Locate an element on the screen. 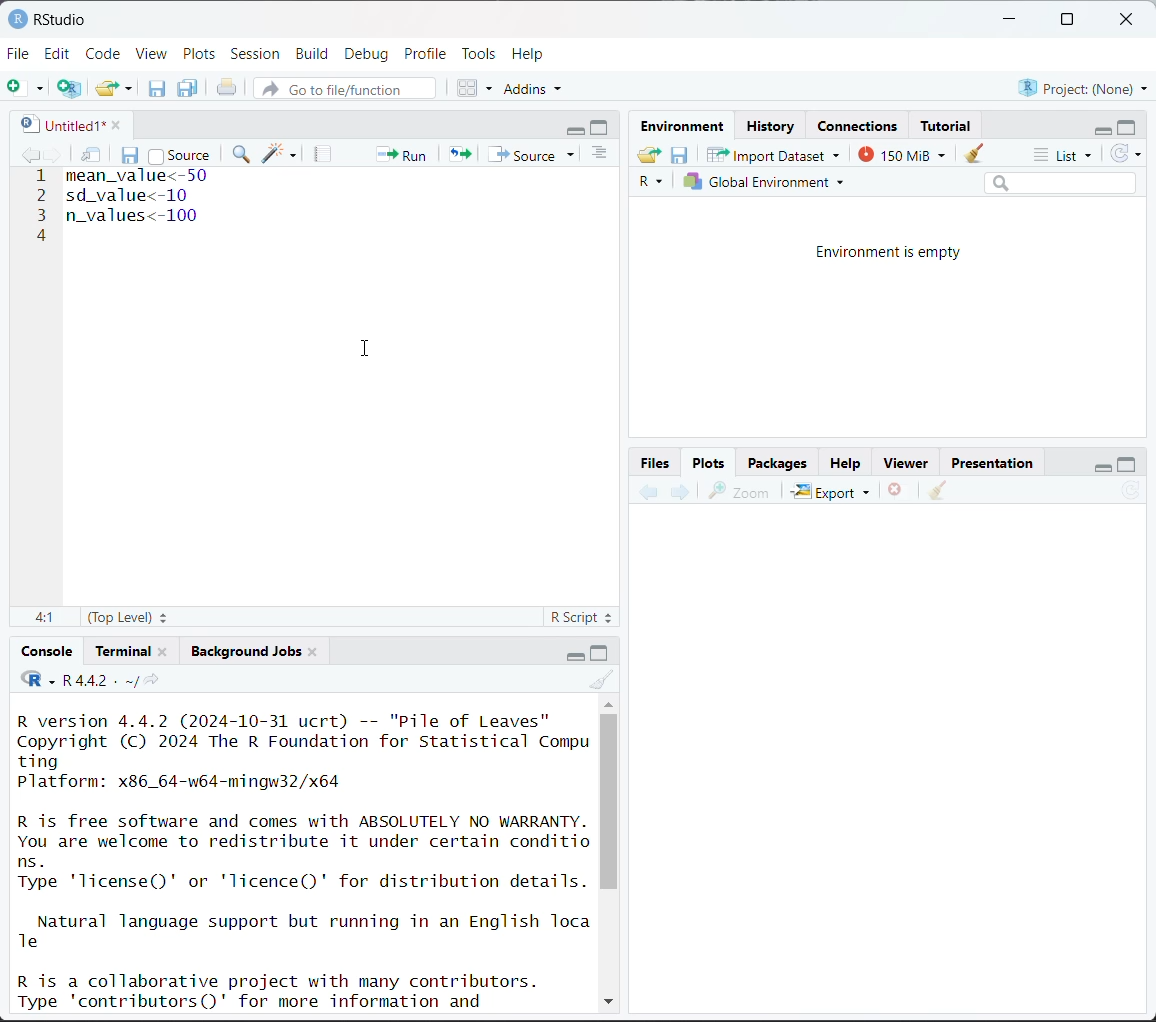 This screenshot has height=1022, width=1156. show document outline is located at coordinates (603, 155).